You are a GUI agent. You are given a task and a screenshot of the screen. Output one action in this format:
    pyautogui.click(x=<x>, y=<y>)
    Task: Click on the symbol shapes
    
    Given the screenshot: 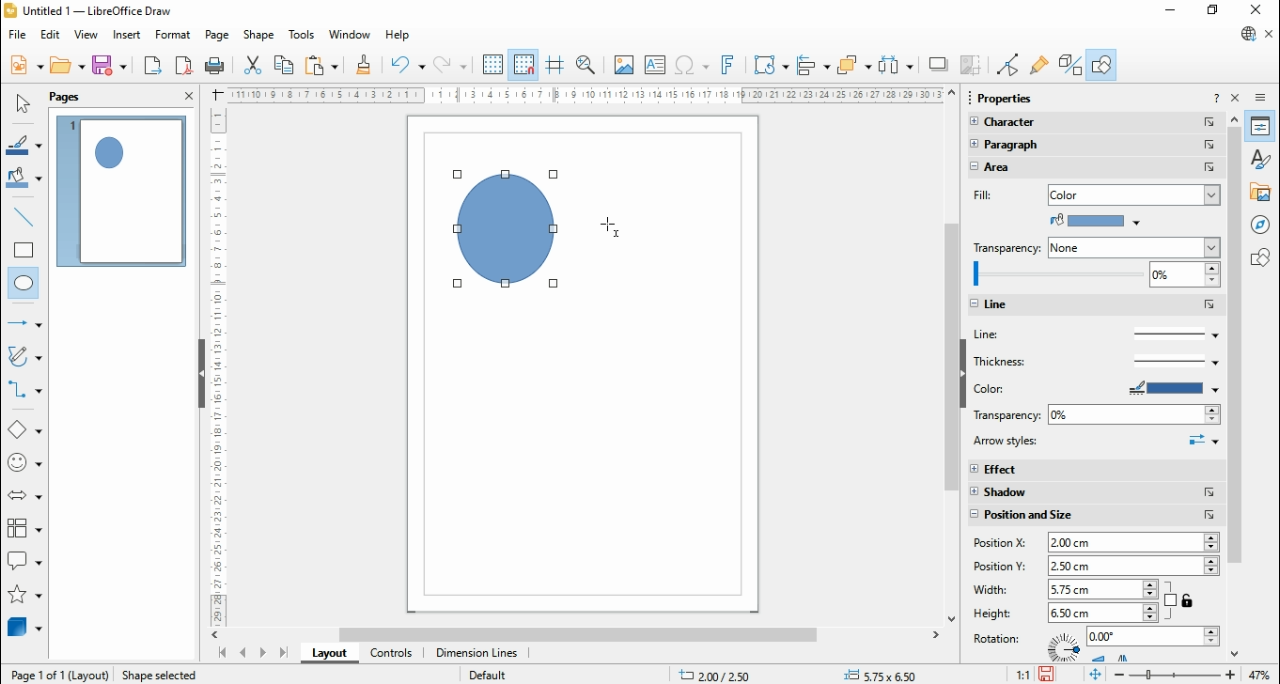 What is the action you would take?
    pyautogui.click(x=26, y=465)
    